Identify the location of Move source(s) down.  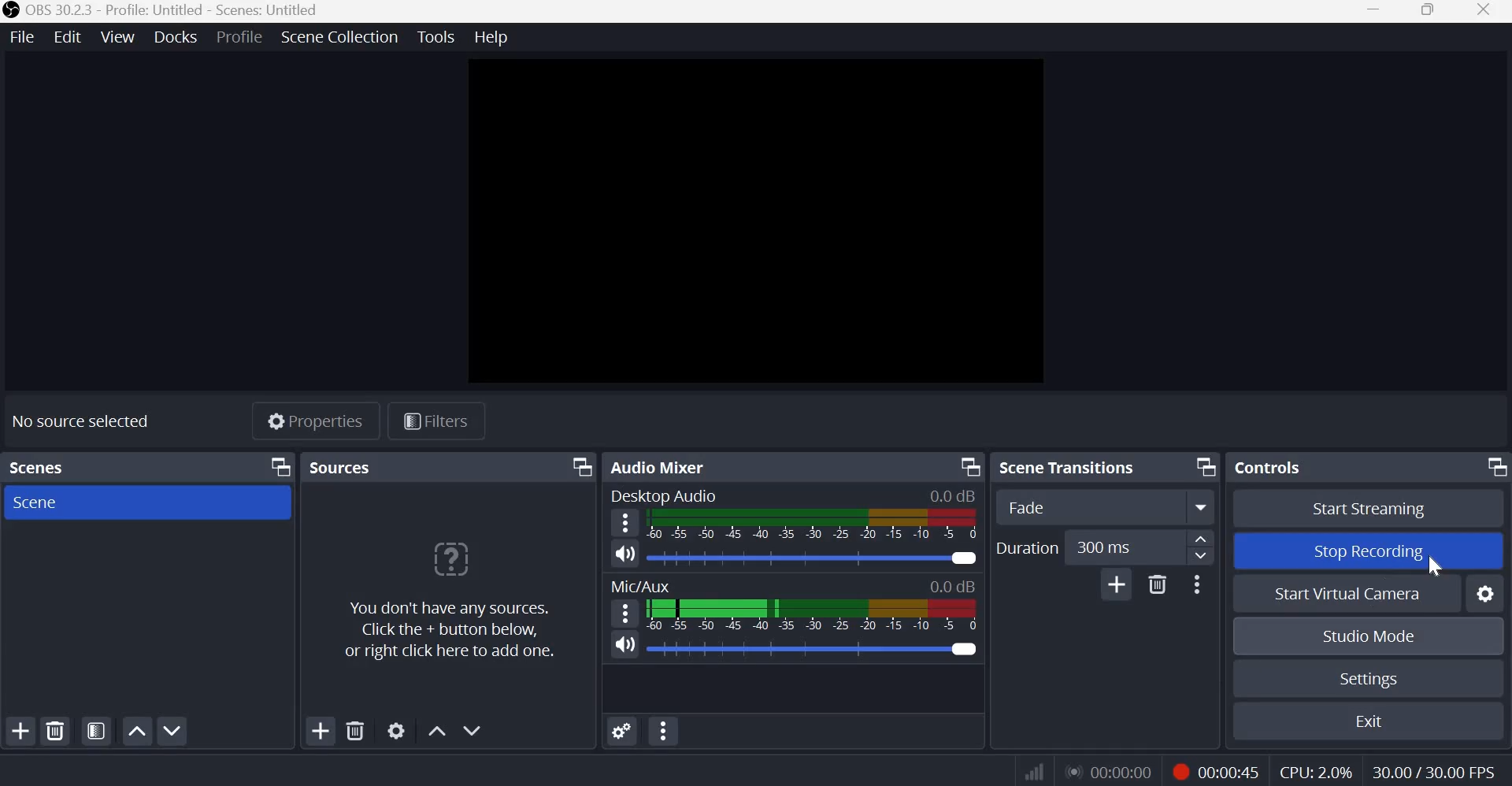
(472, 731).